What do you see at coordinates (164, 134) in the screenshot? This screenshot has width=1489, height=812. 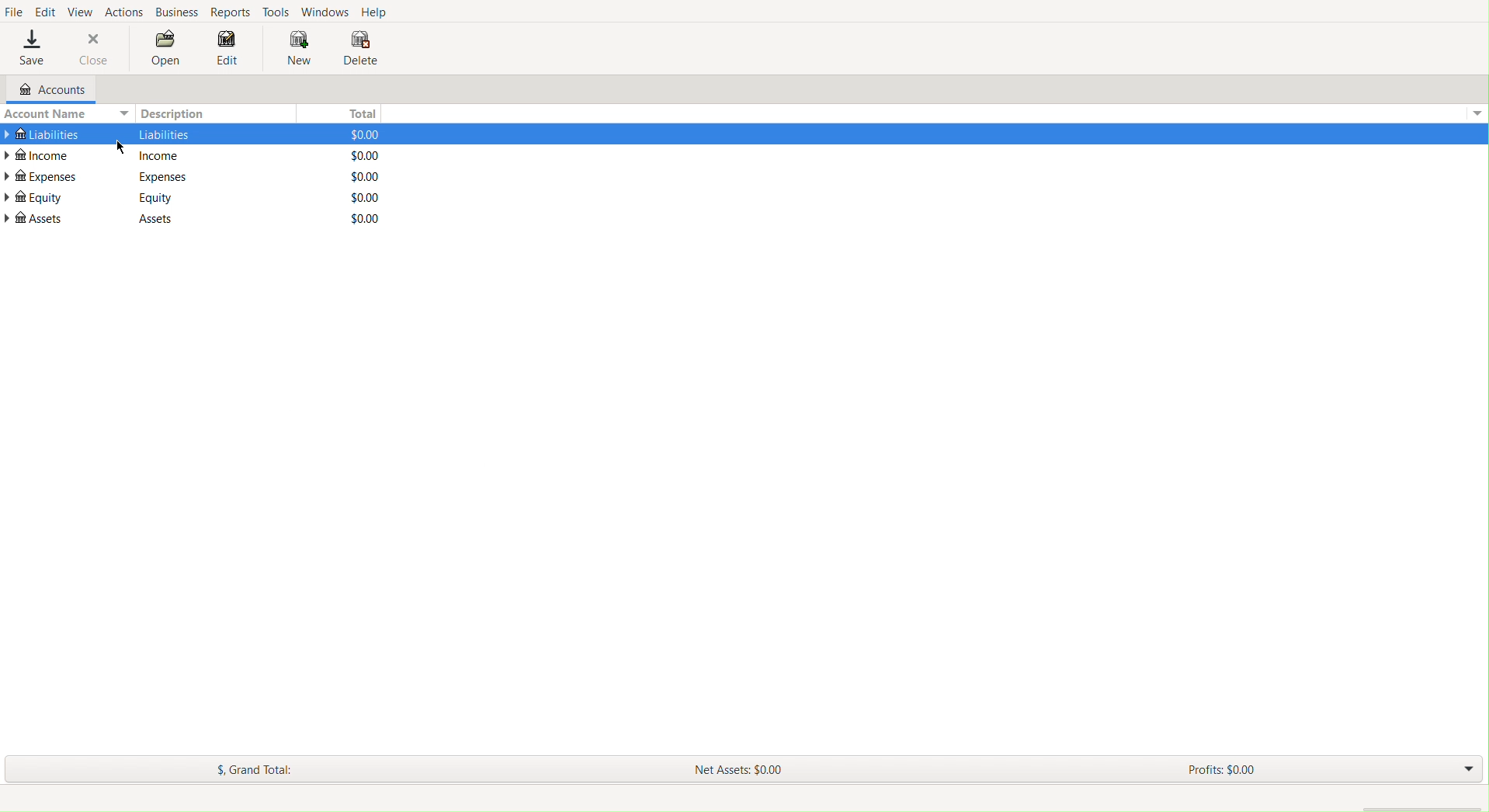 I see `liabilities` at bounding box center [164, 134].